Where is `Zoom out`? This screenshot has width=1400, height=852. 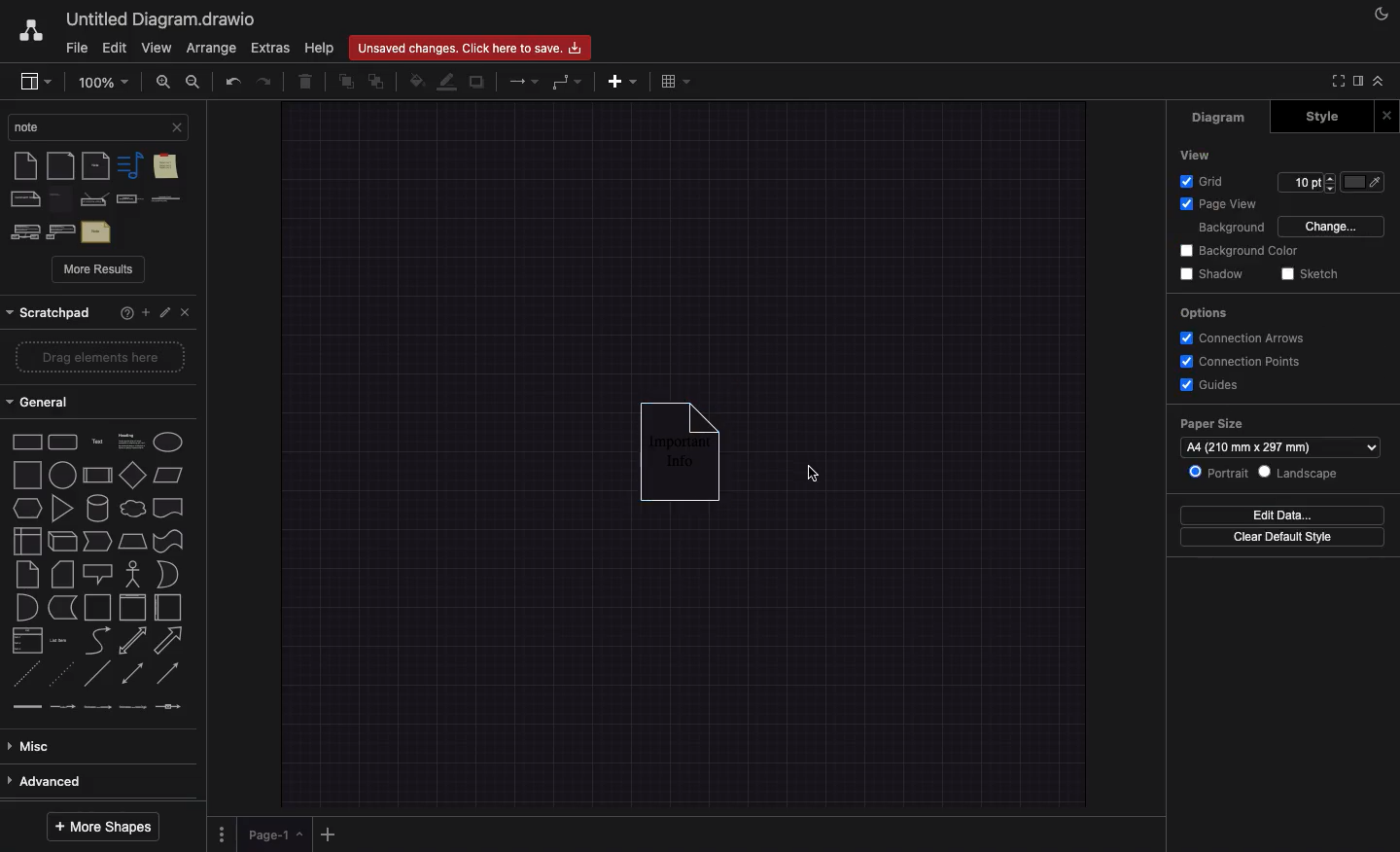 Zoom out is located at coordinates (195, 81).